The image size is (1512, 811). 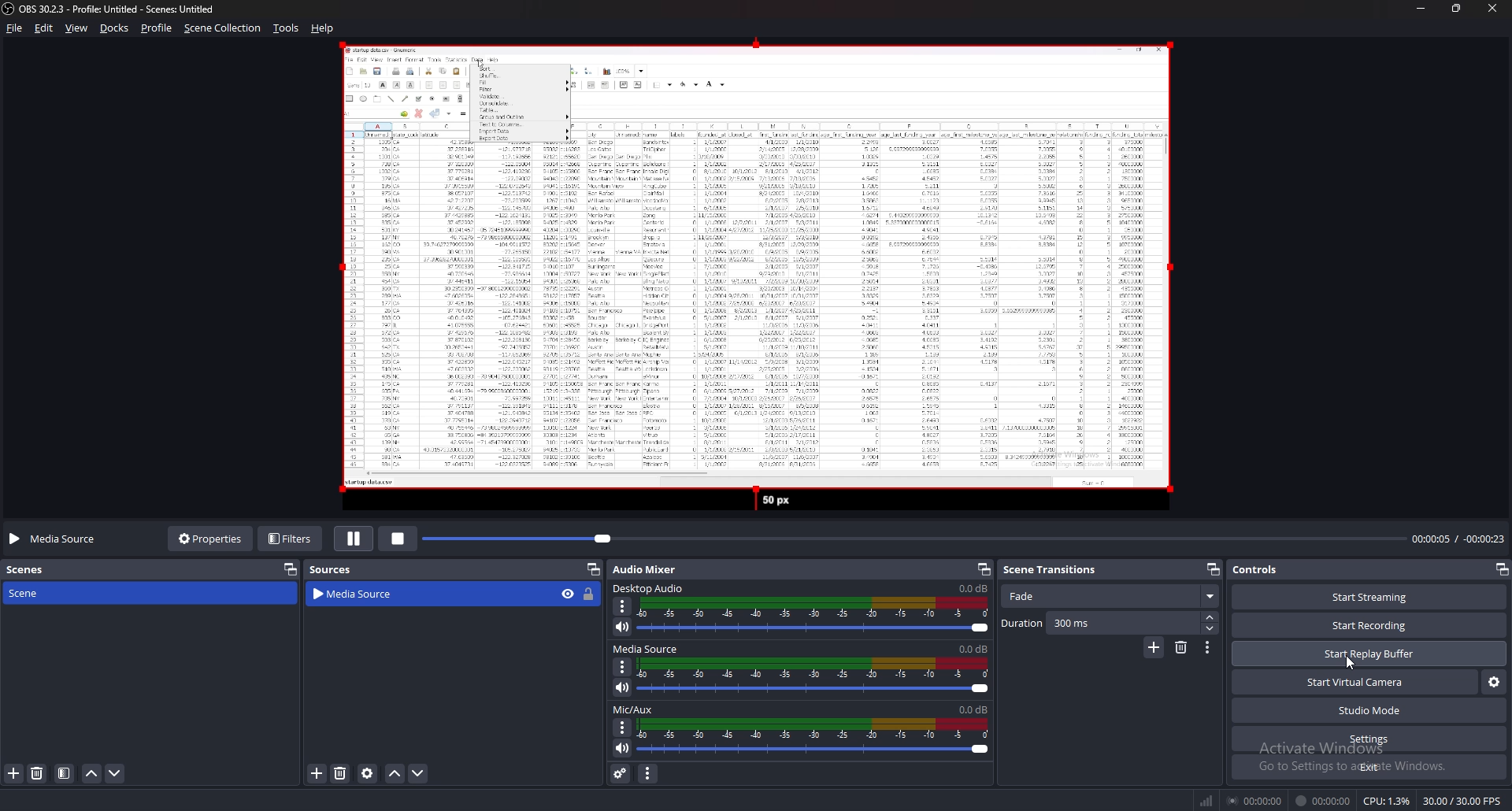 I want to click on pause, so click(x=353, y=540).